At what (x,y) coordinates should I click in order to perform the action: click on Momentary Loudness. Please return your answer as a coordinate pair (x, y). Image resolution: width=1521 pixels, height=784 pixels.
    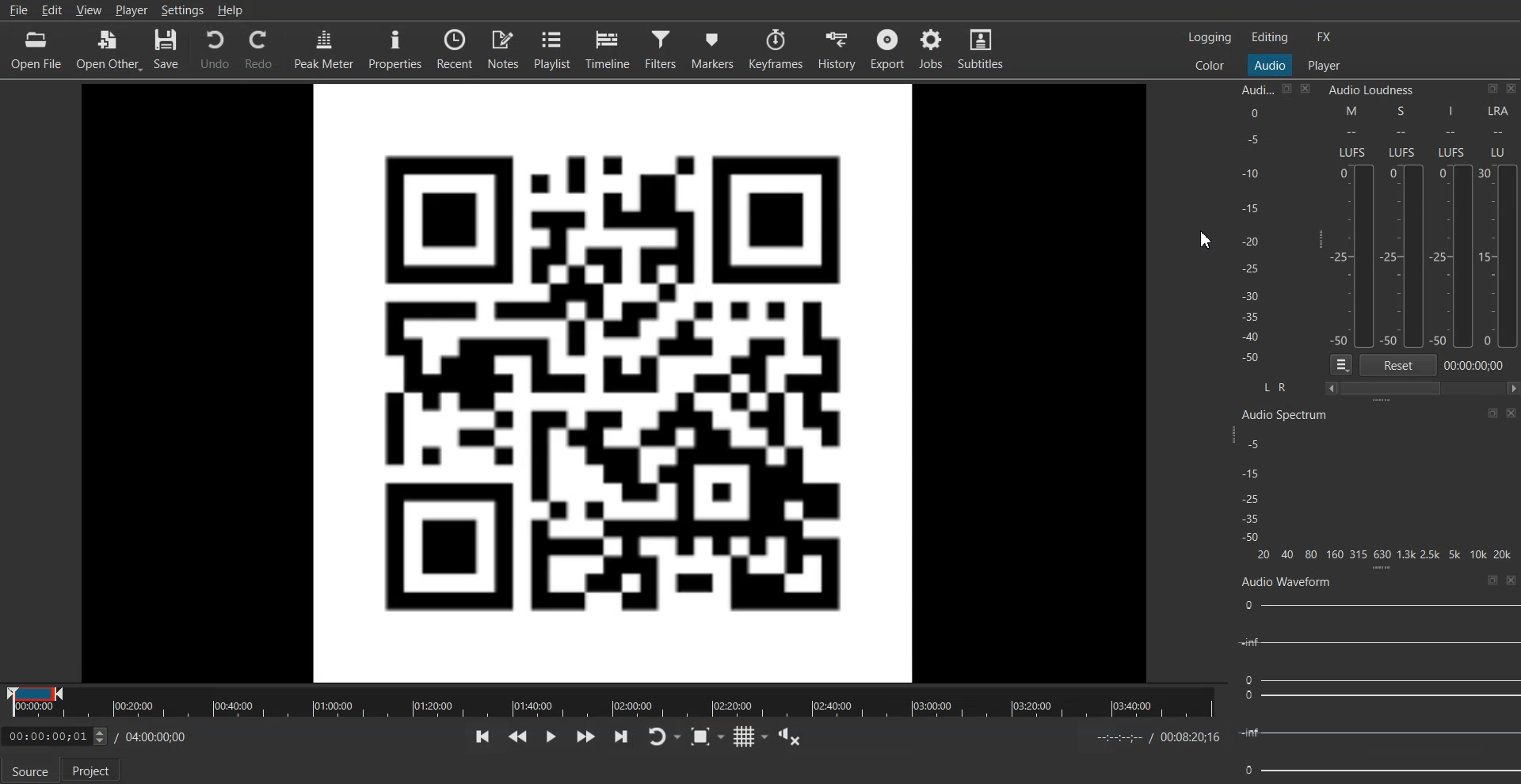
    Looking at the image, I should click on (1354, 226).